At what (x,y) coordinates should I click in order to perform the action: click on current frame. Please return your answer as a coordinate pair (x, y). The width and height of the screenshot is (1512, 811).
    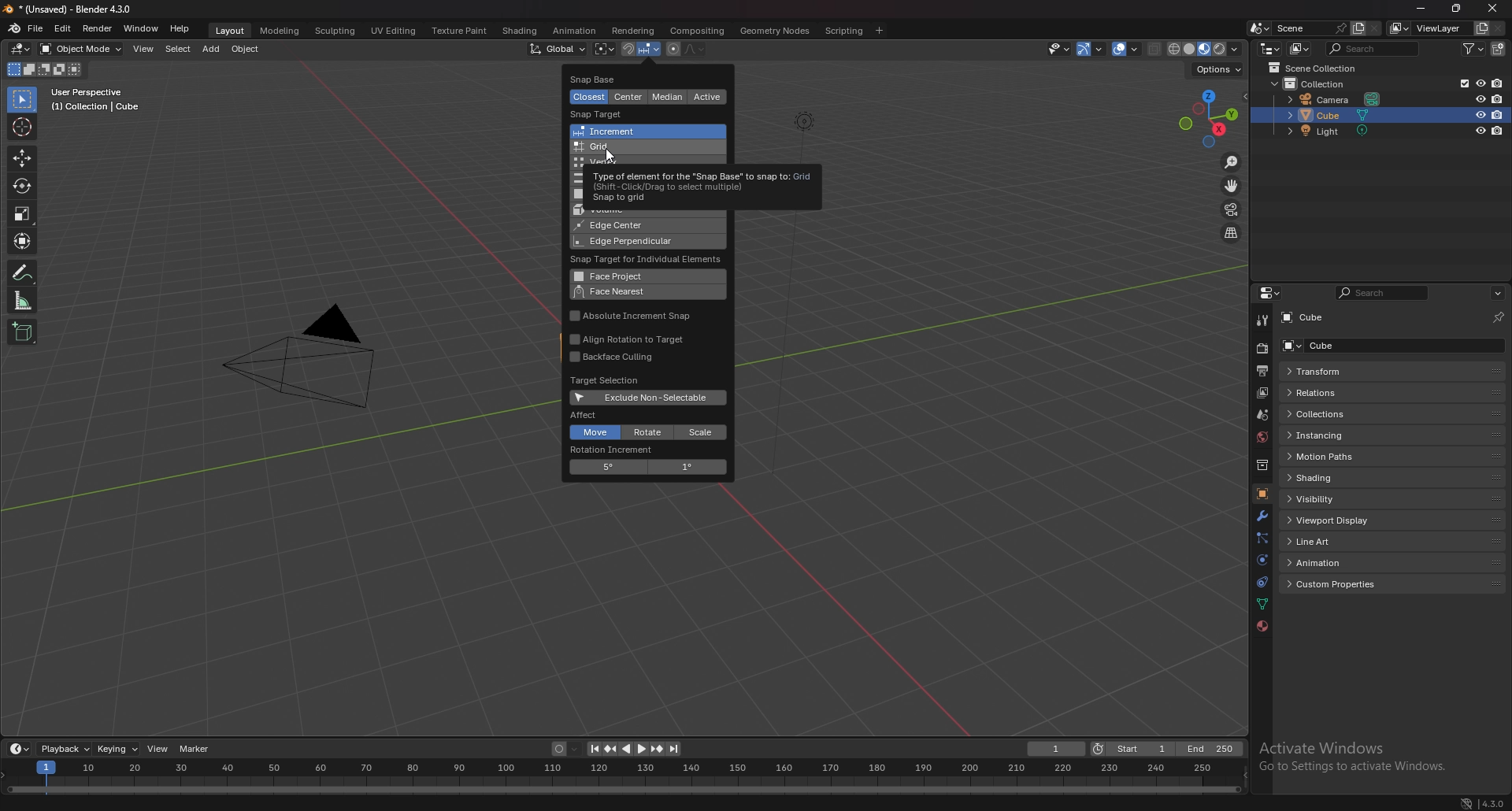
    Looking at the image, I should click on (1058, 749).